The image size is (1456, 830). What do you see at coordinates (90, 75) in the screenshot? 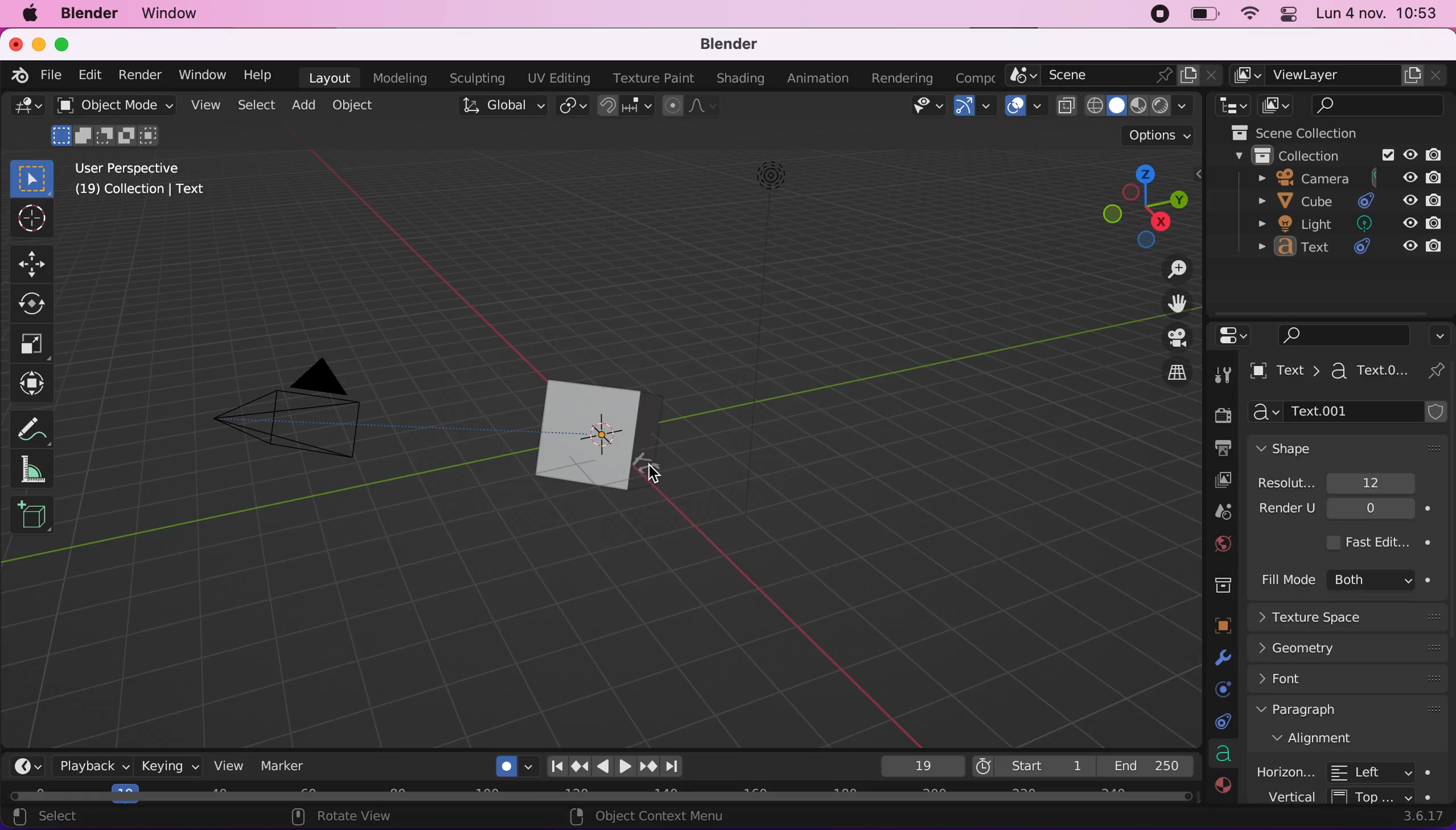
I see `edit` at bounding box center [90, 75].